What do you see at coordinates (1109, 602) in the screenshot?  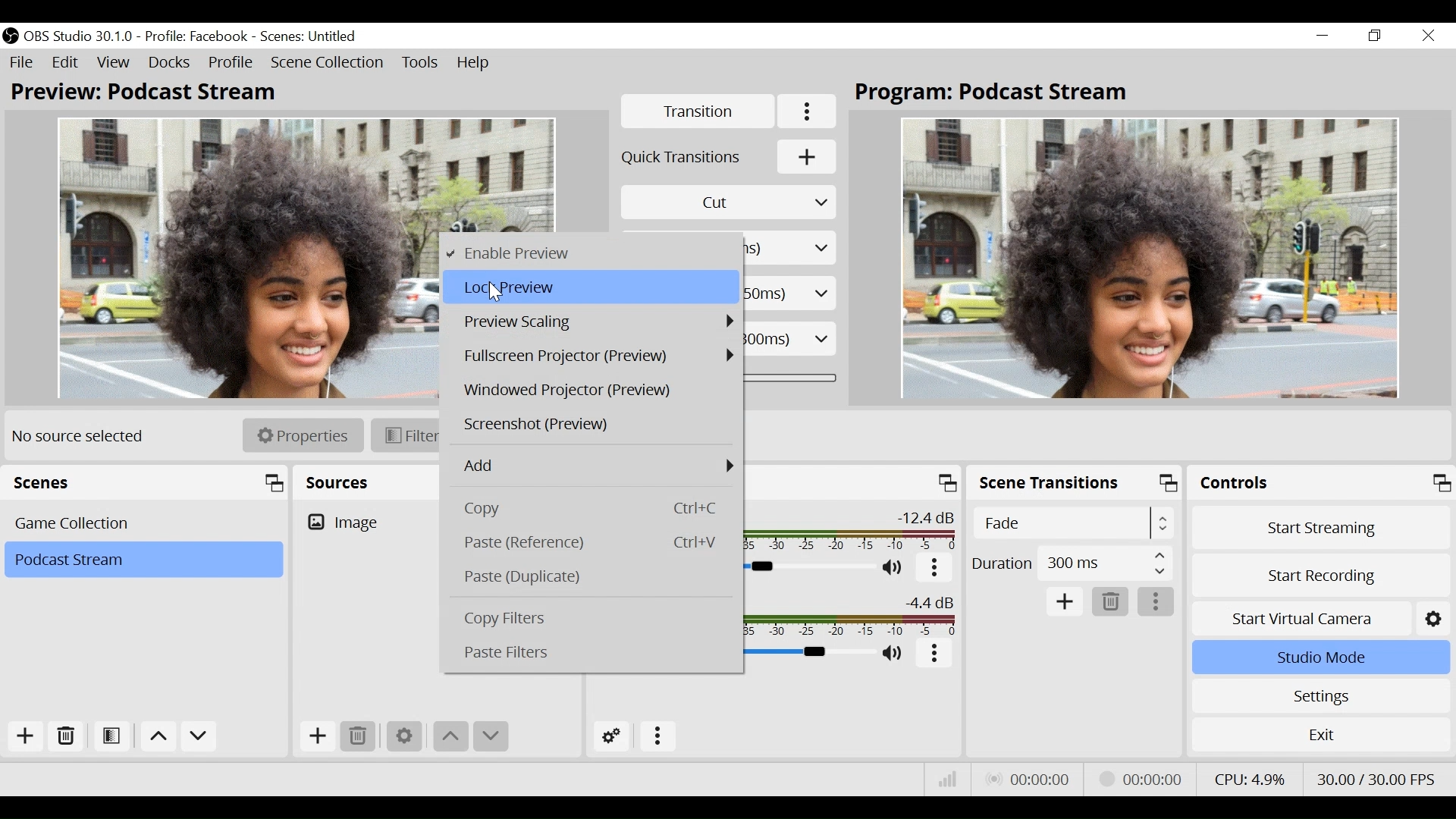 I see `Remove` at bounding box center [1109, 602].